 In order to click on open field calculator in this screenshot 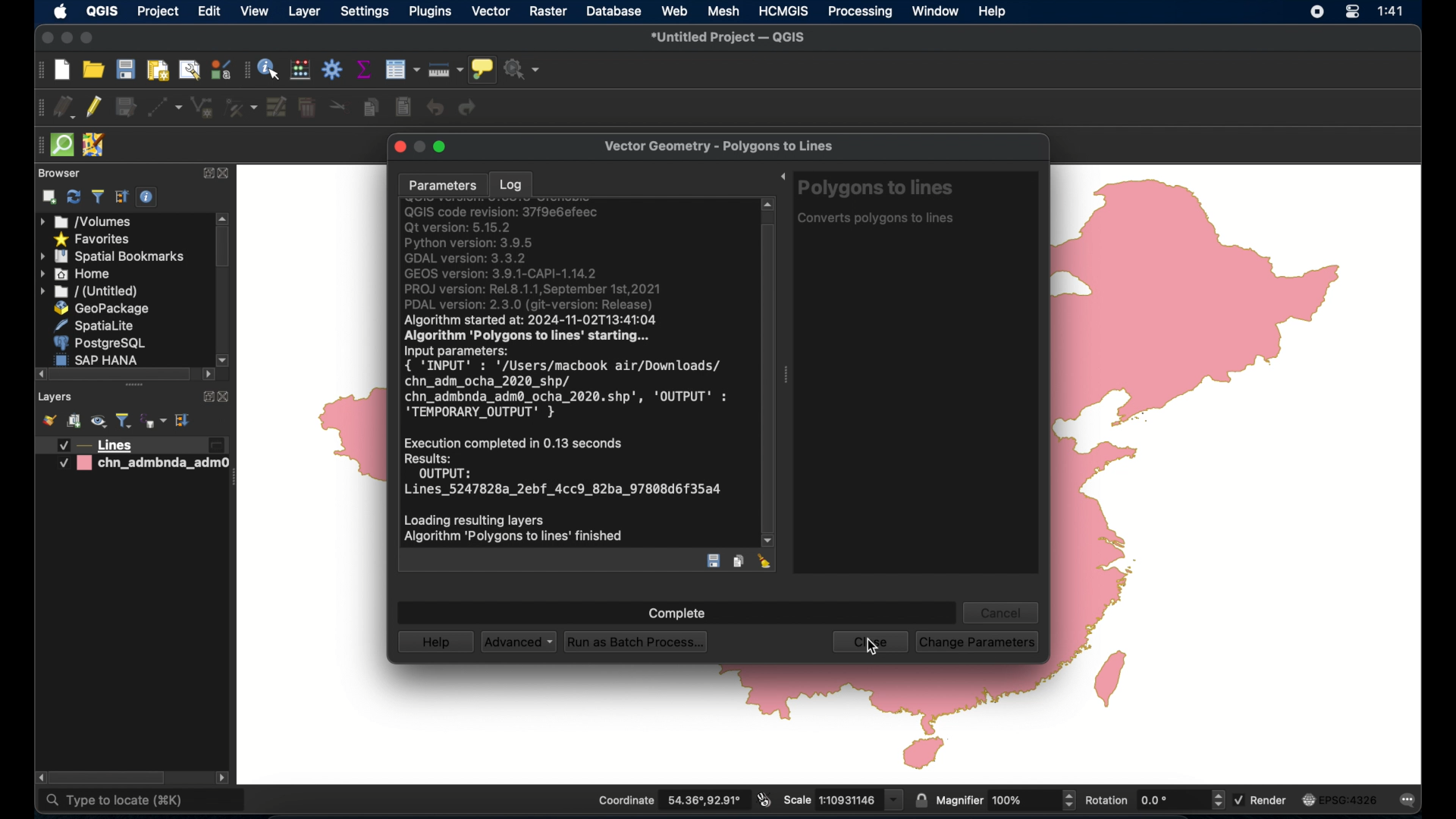, I will do `click(300, 69)`.